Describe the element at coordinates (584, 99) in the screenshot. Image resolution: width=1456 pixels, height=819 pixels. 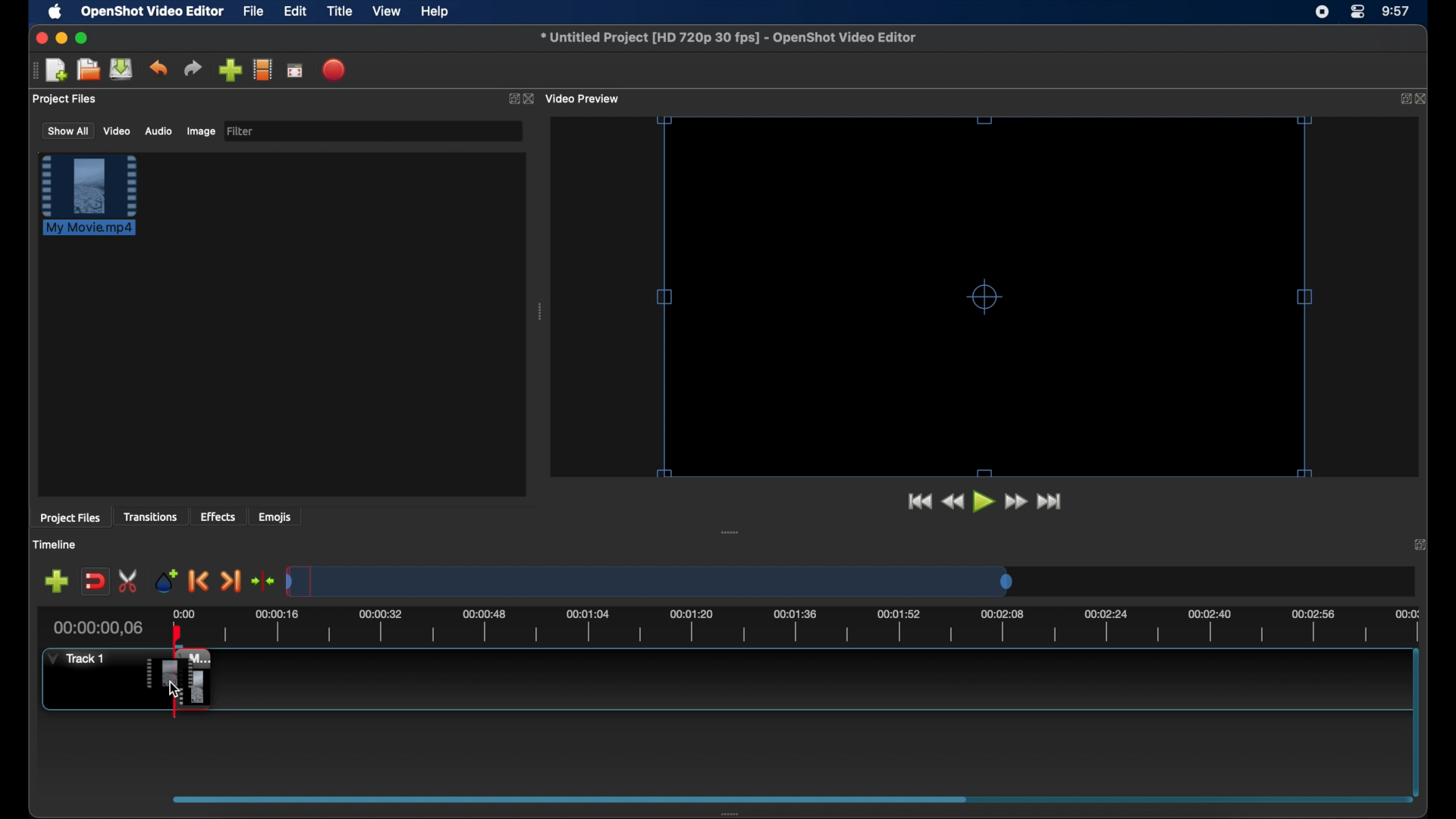
I see `video preview` at that location.